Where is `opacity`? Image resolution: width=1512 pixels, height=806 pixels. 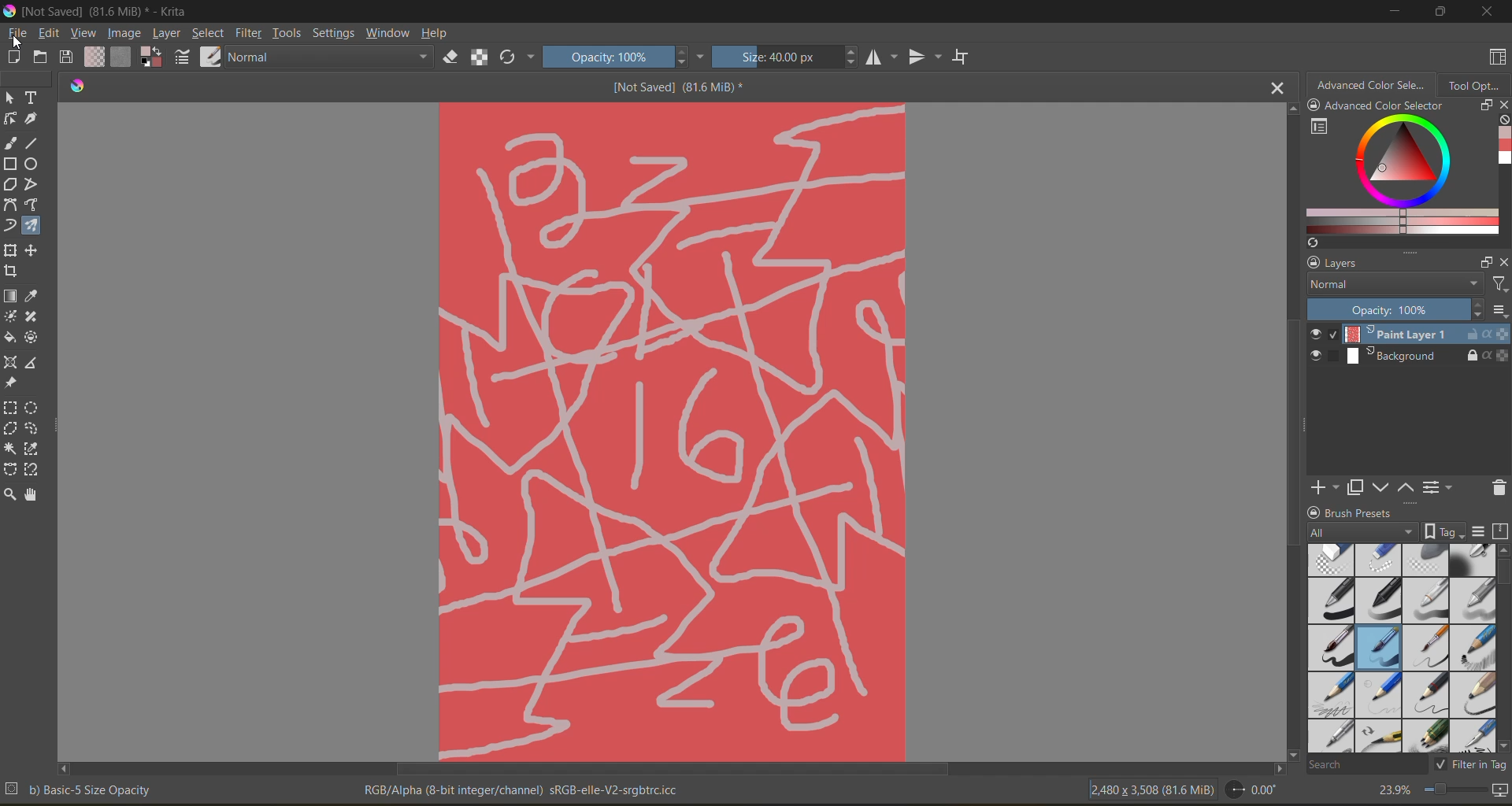 opacity is located at coordinates (1408, 310).